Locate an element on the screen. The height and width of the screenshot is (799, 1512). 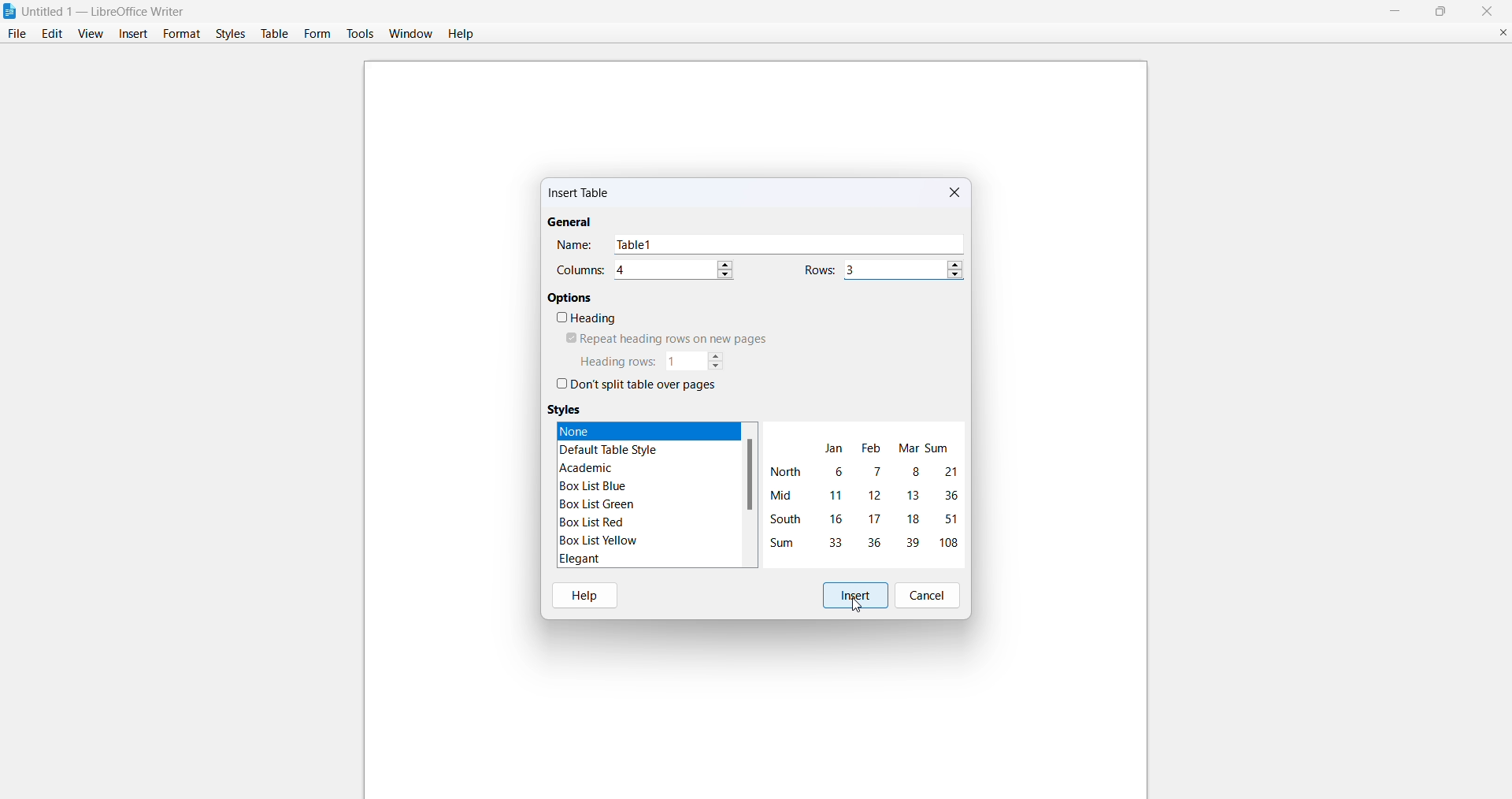
libreofficewriter logo is located at coordinates (9, 11).